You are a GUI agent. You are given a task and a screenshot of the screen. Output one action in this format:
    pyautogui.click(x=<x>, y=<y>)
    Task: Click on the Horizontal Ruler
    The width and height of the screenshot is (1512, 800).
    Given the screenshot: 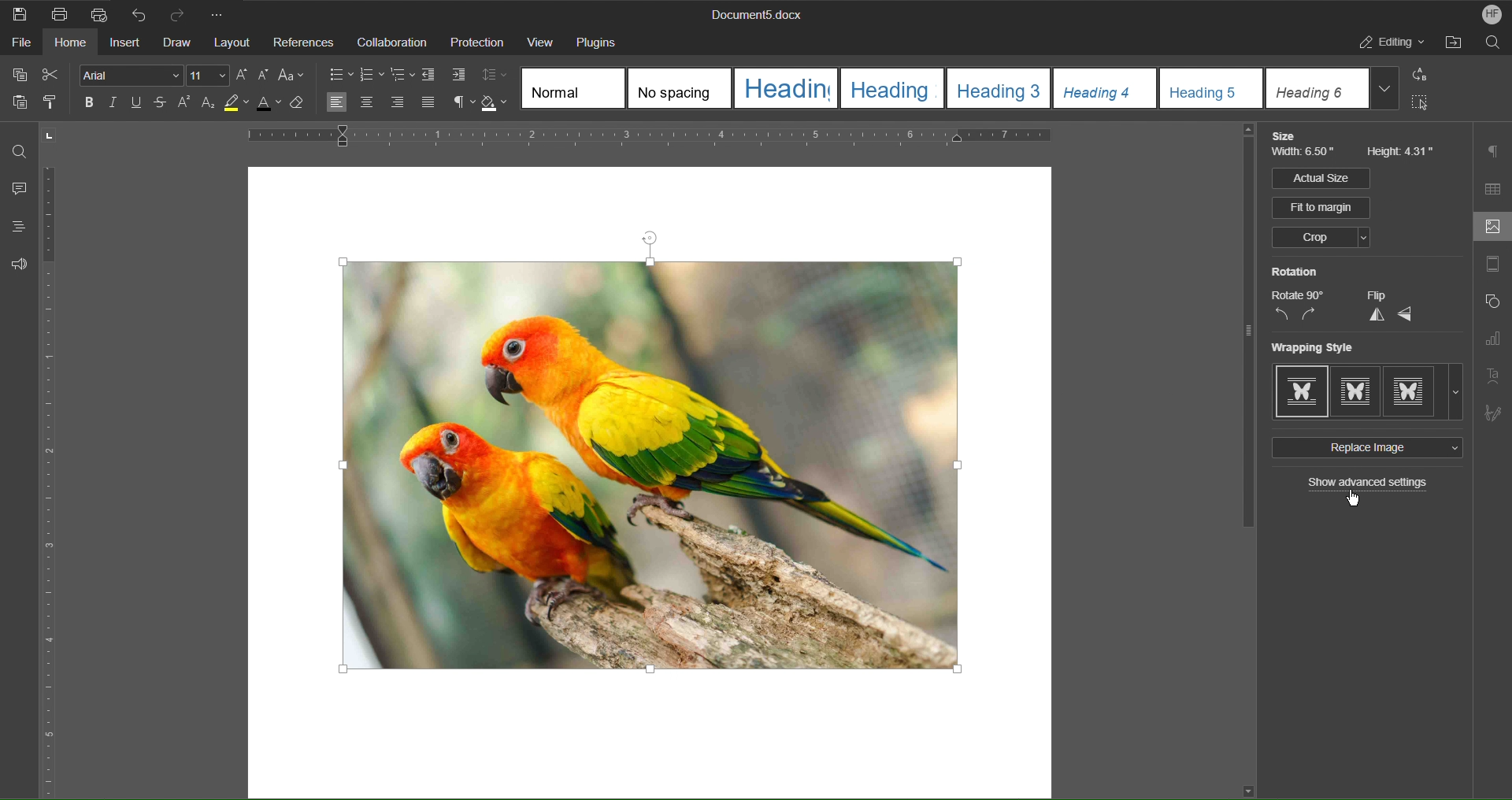 What is the action you would take?
    pyautogui.click(x=702, y=139)
    